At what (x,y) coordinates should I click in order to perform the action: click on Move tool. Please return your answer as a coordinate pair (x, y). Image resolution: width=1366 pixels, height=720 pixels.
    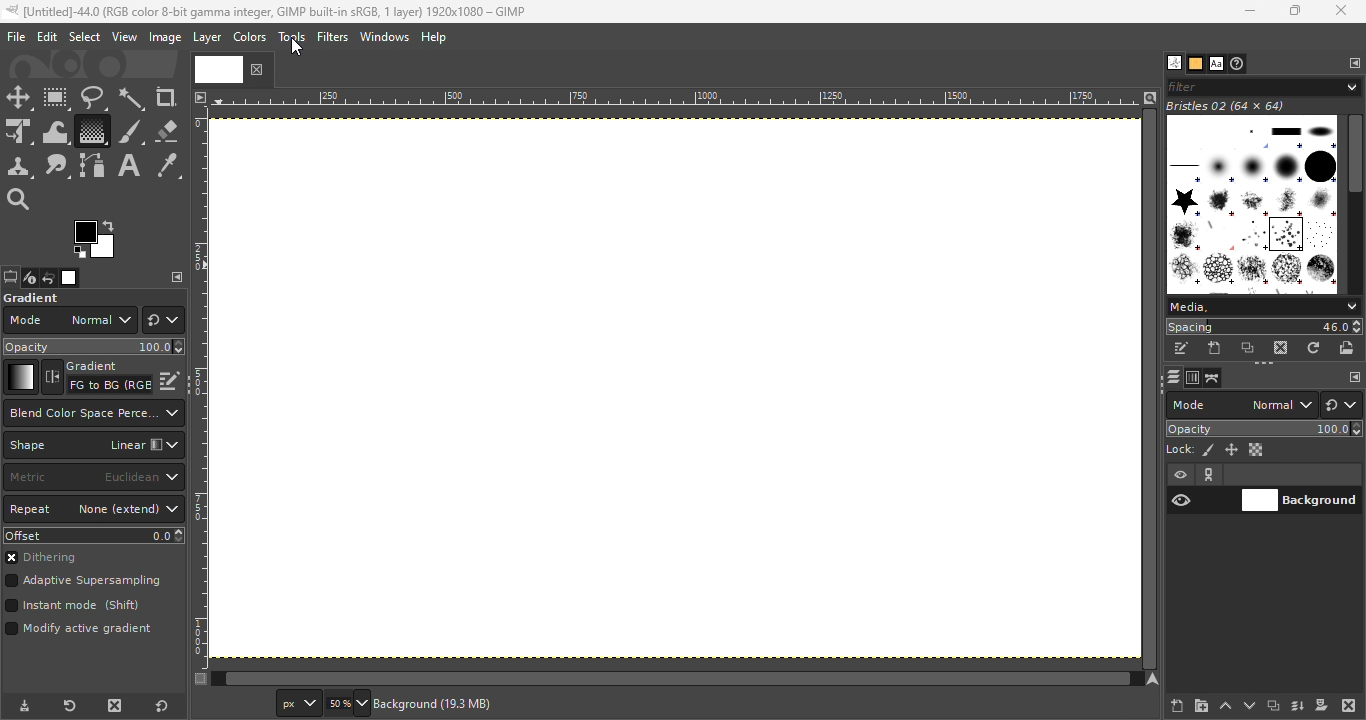
    Looking at the image, I should click on (19, 98).